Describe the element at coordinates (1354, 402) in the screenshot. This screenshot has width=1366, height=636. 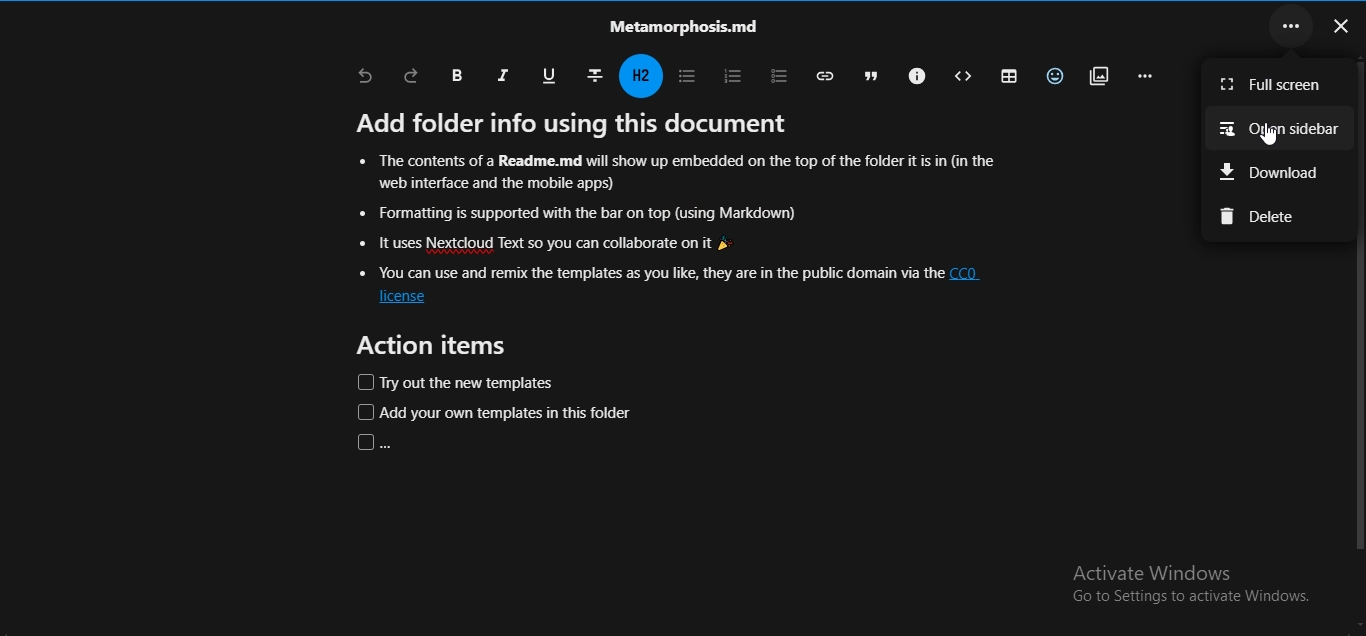
I see `Scrollbar` at that location.